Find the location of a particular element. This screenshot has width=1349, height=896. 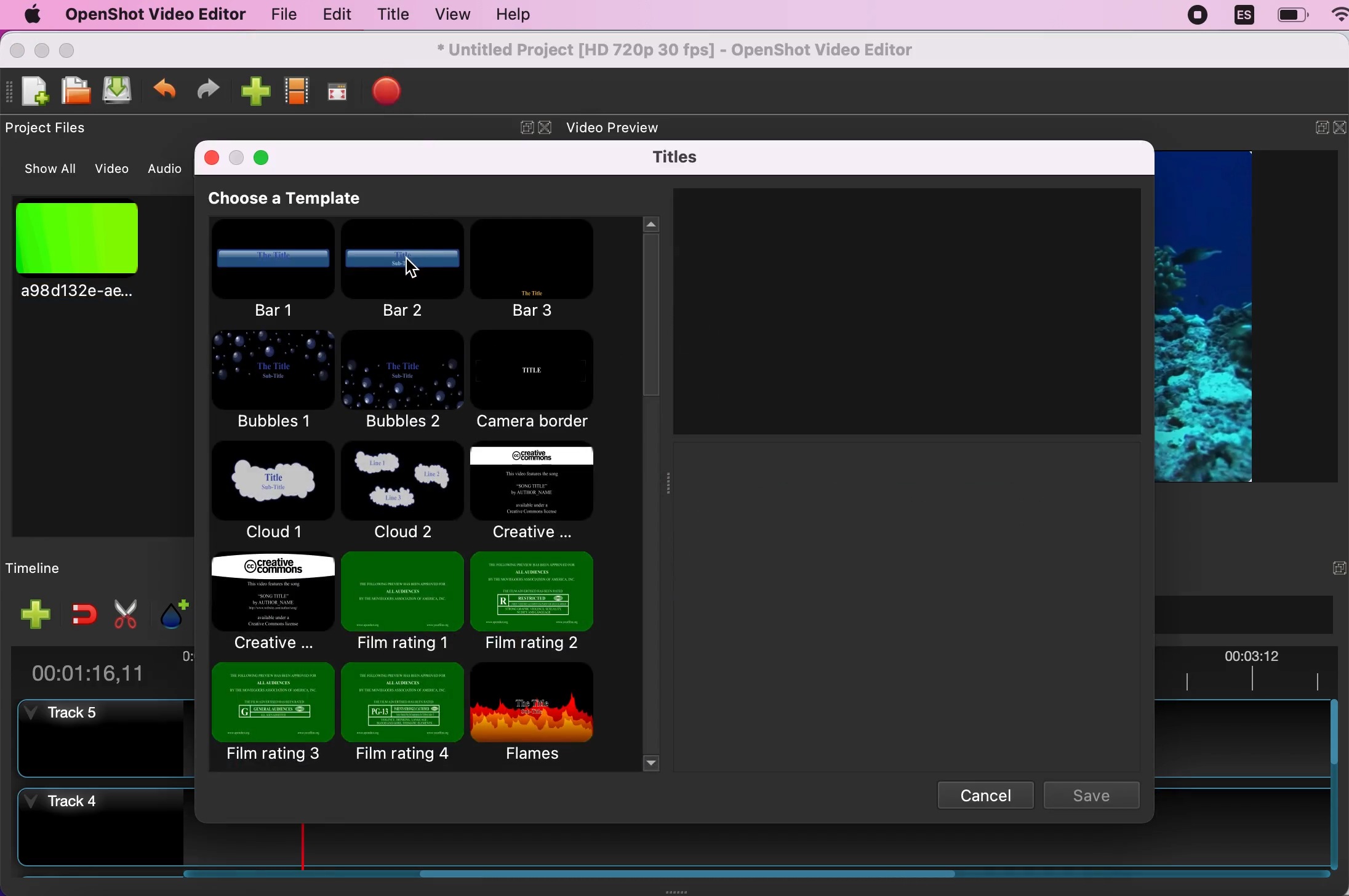

close is located at coordinates (209, 156).